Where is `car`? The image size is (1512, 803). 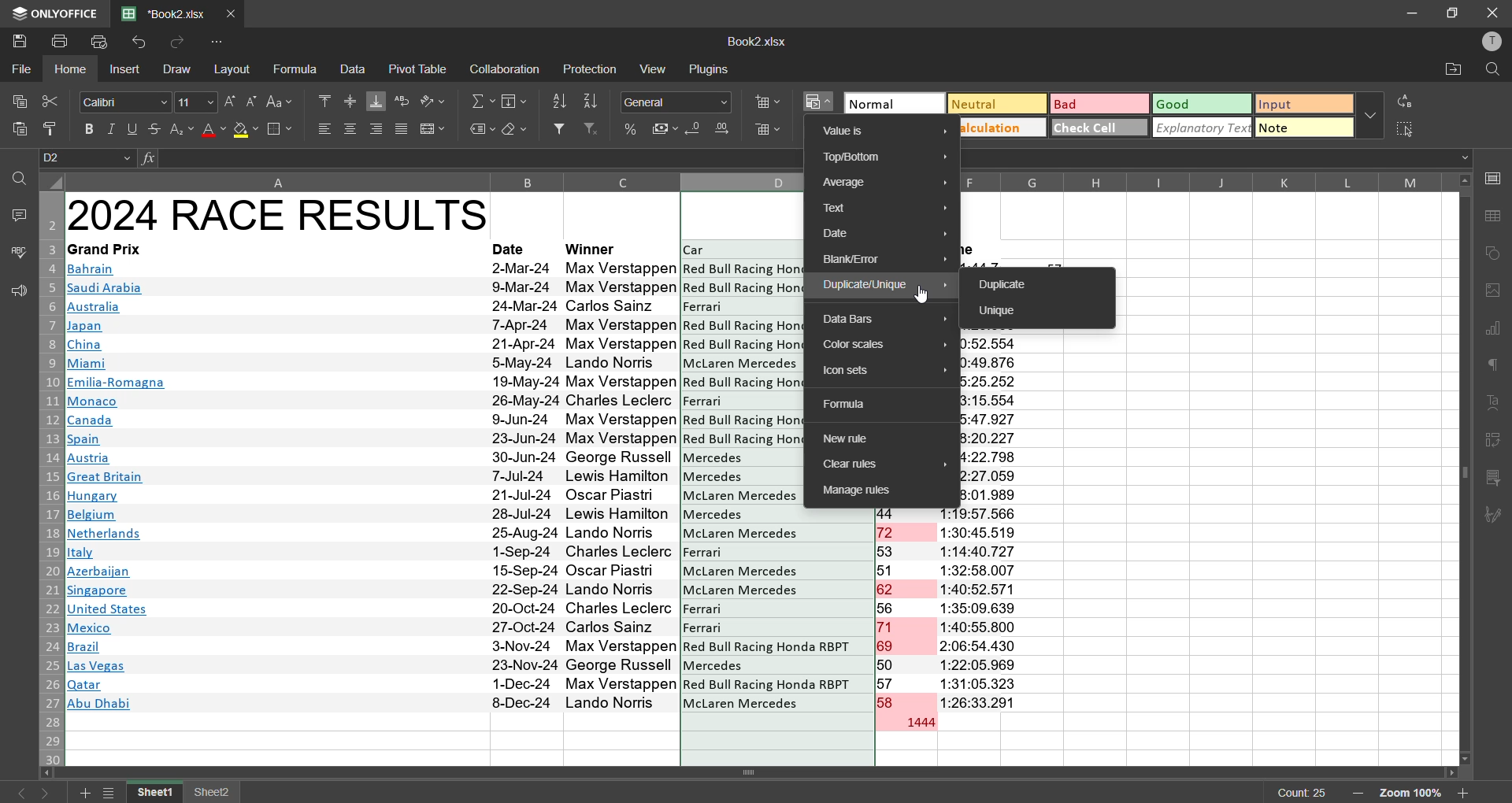
car is located at coordinates (697, 250).